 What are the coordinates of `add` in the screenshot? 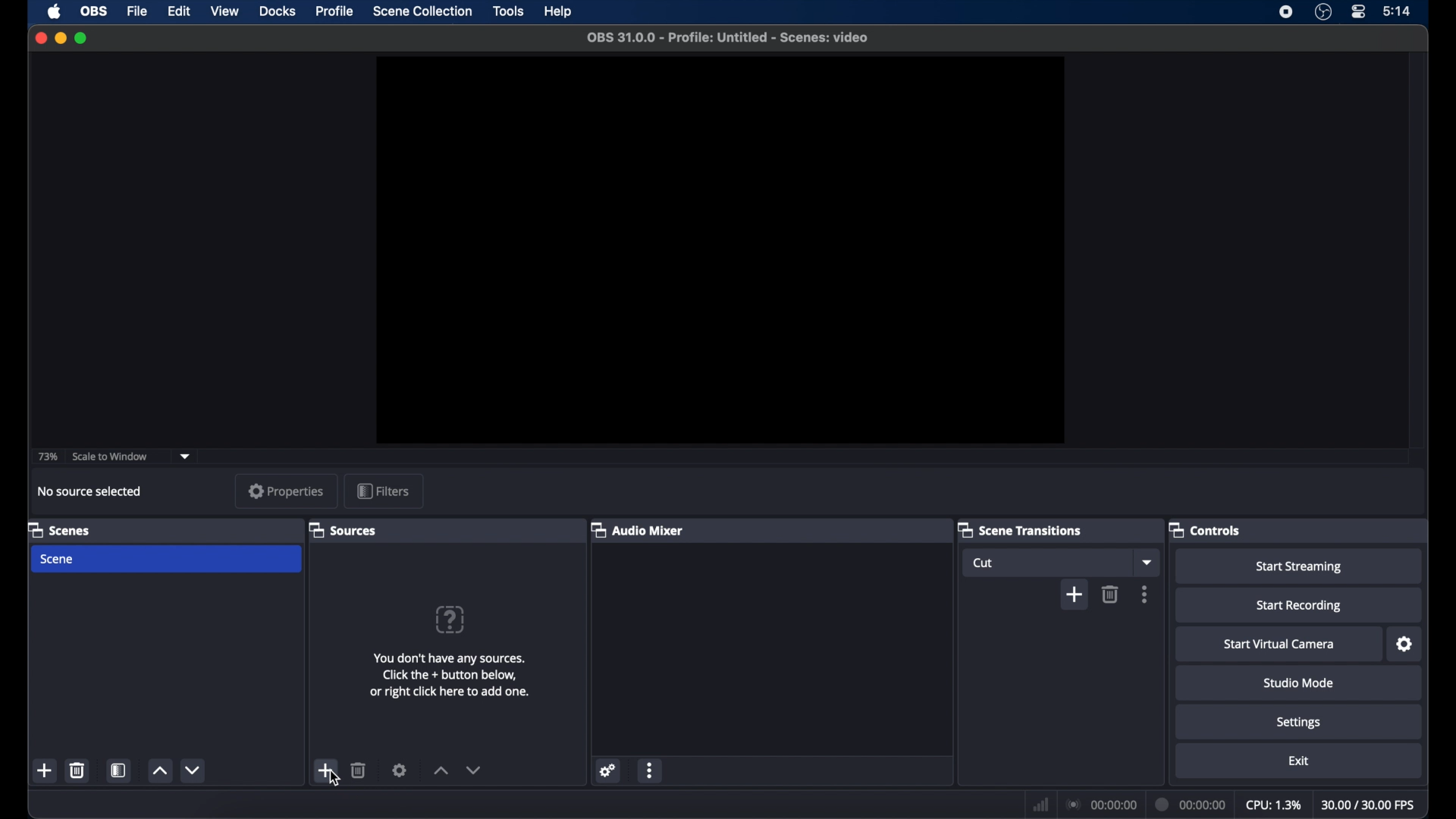 It's located at (44, 771).